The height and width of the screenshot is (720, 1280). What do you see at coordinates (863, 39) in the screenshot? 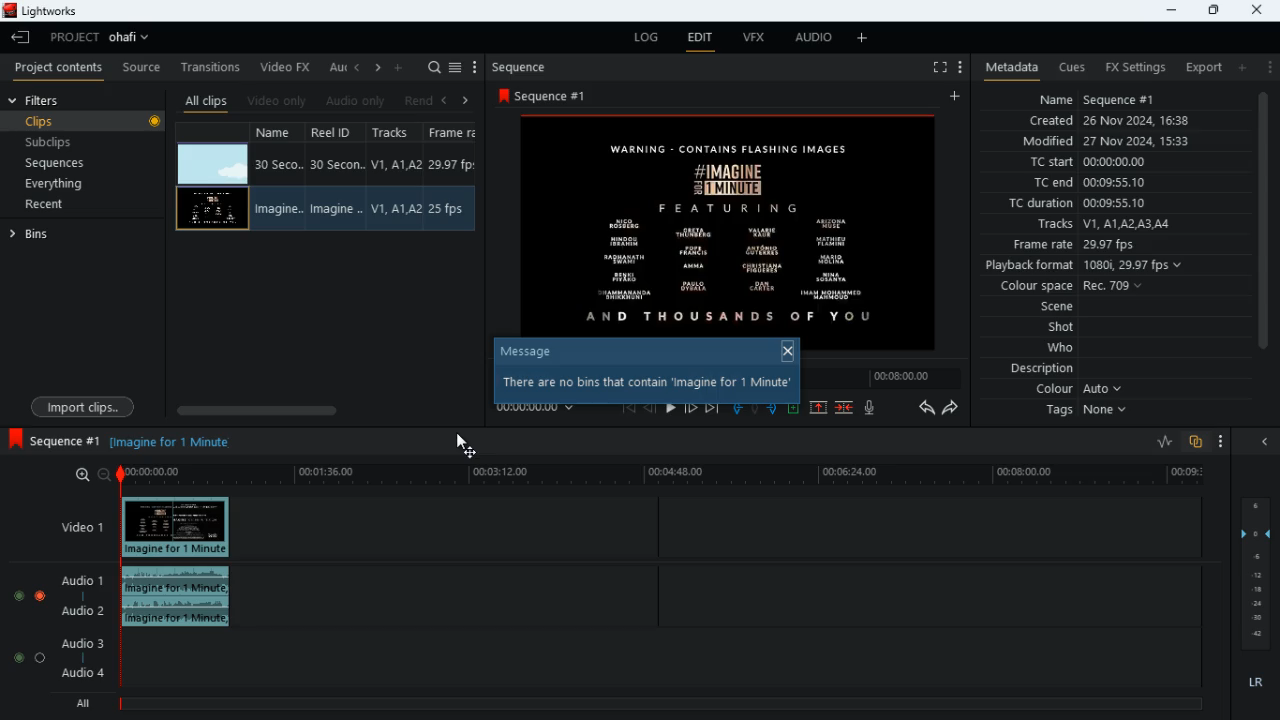
I see `add` at bounding box center [863, 39].